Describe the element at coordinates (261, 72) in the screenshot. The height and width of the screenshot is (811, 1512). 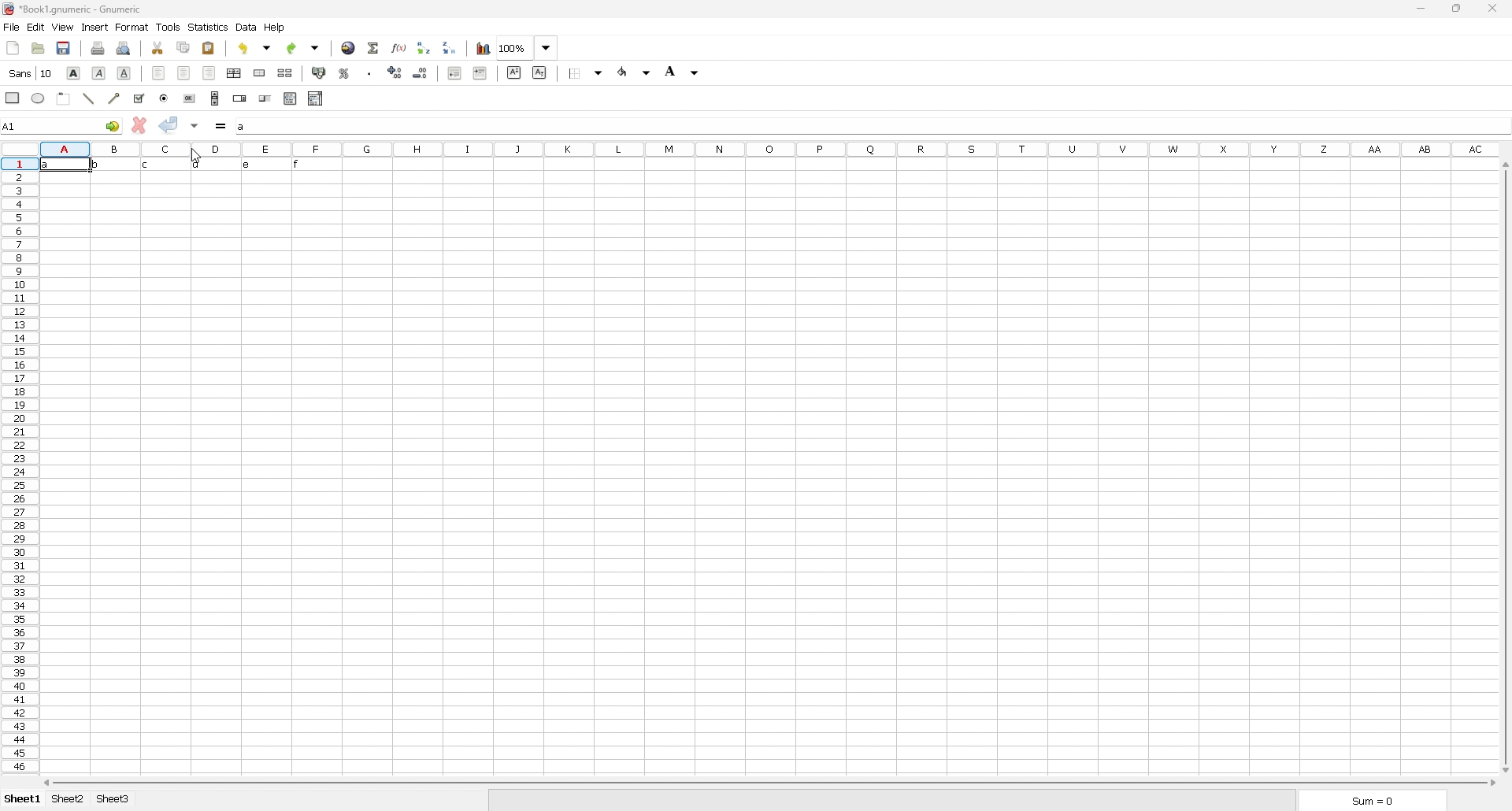
I see `merge cells` at that location.